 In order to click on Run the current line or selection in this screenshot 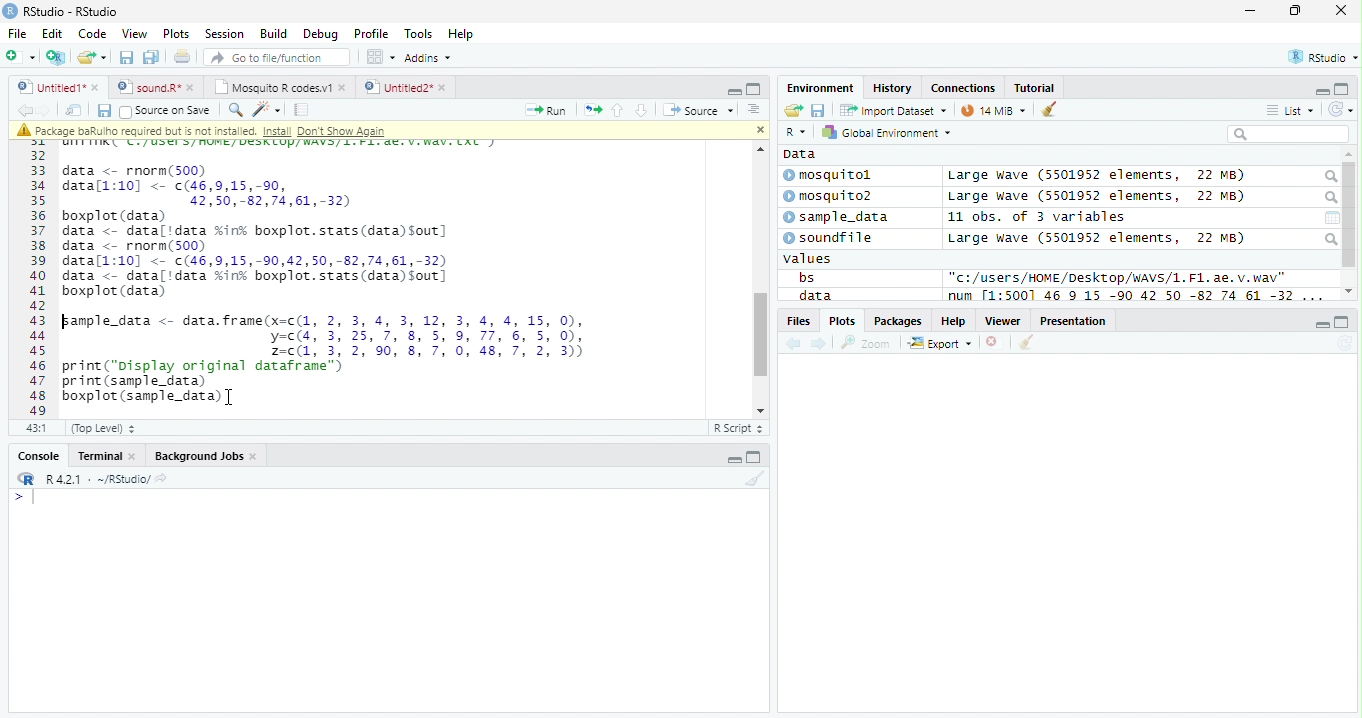, I will do `click(546, 111)`.